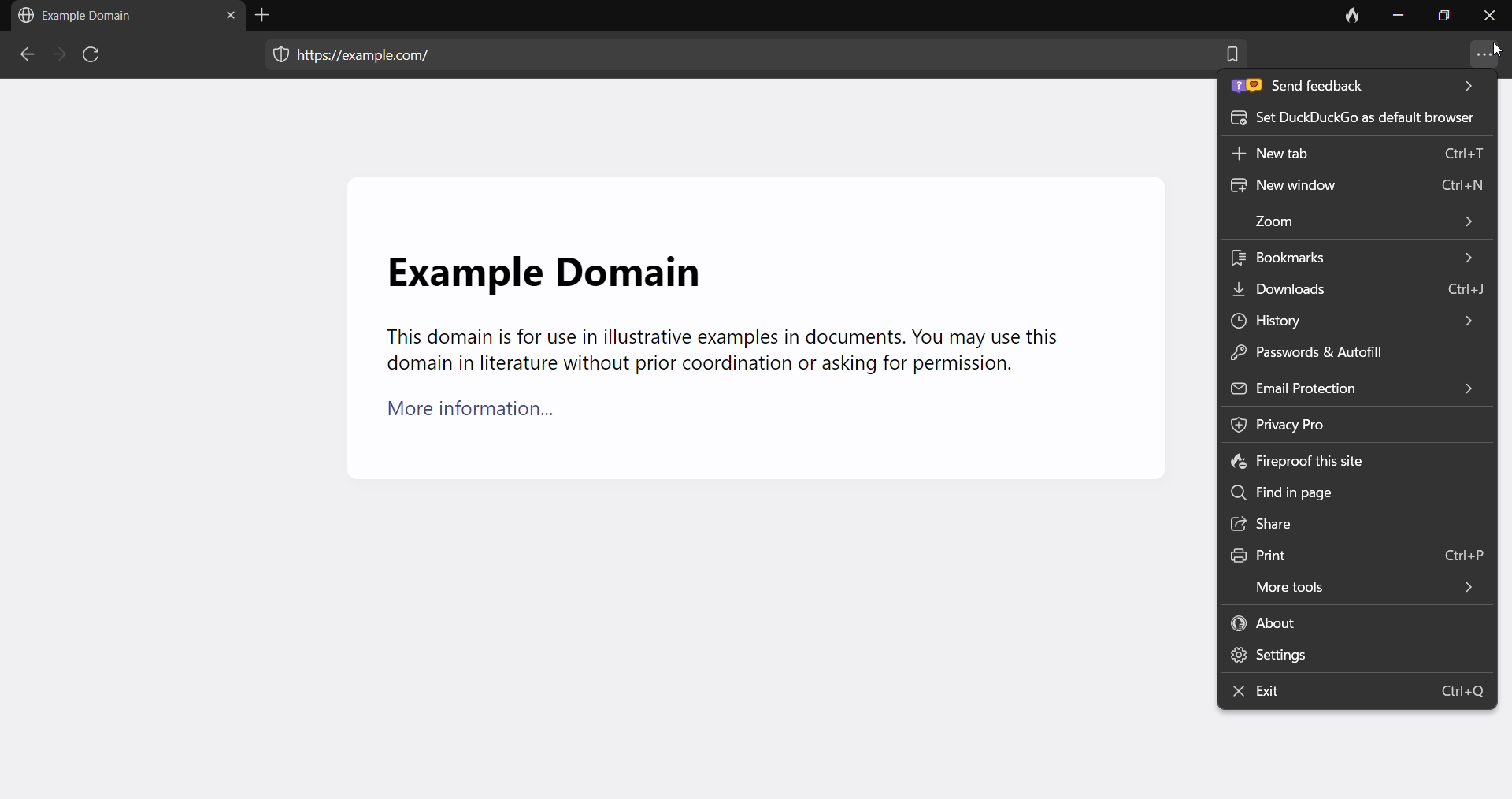 This screenshot has width=1512, height=799. I want to click on close, so click(1489, 20).